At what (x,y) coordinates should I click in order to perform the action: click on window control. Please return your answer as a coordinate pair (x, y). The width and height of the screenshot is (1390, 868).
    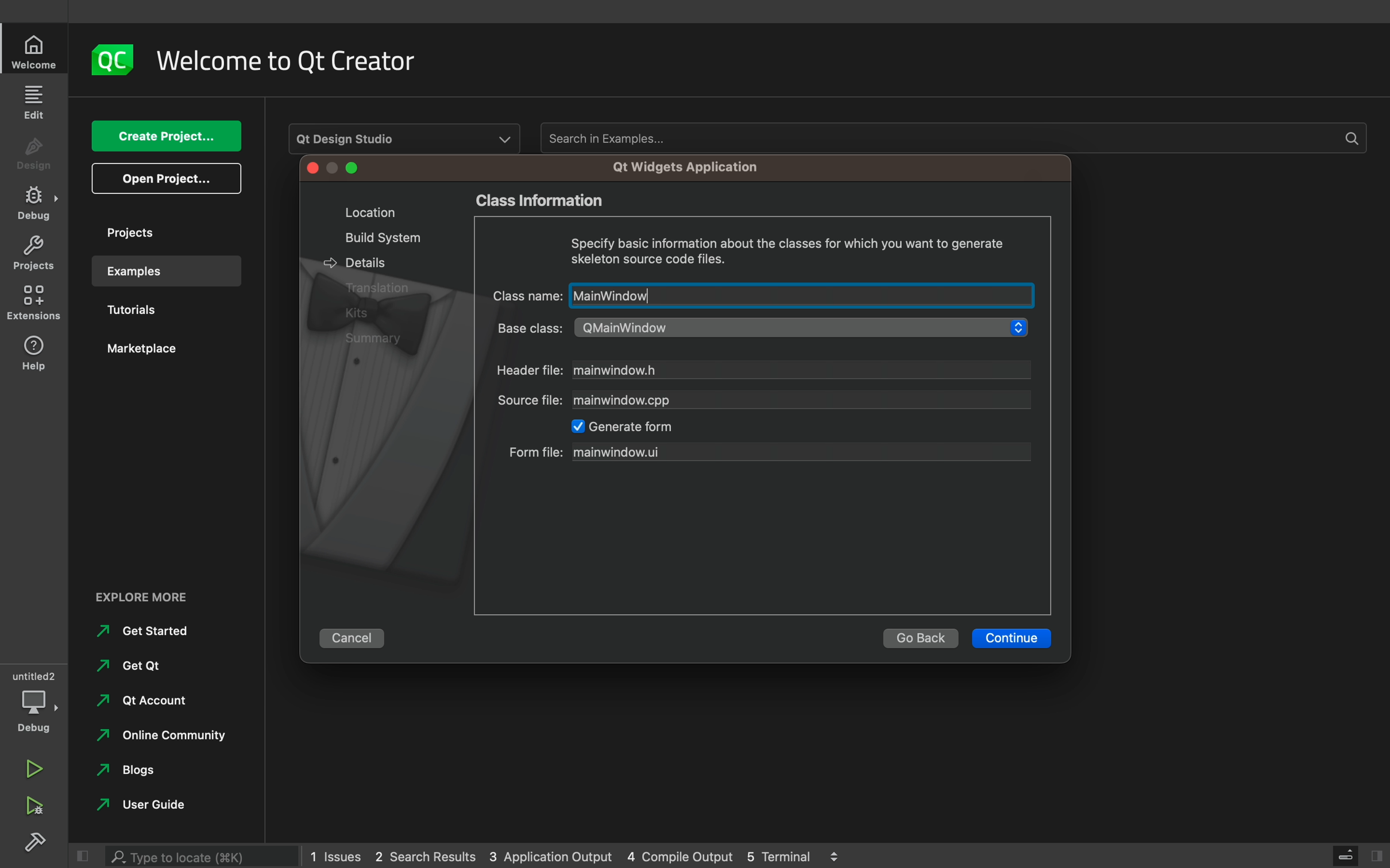
    Looking at the image, I should click on (335, 169).